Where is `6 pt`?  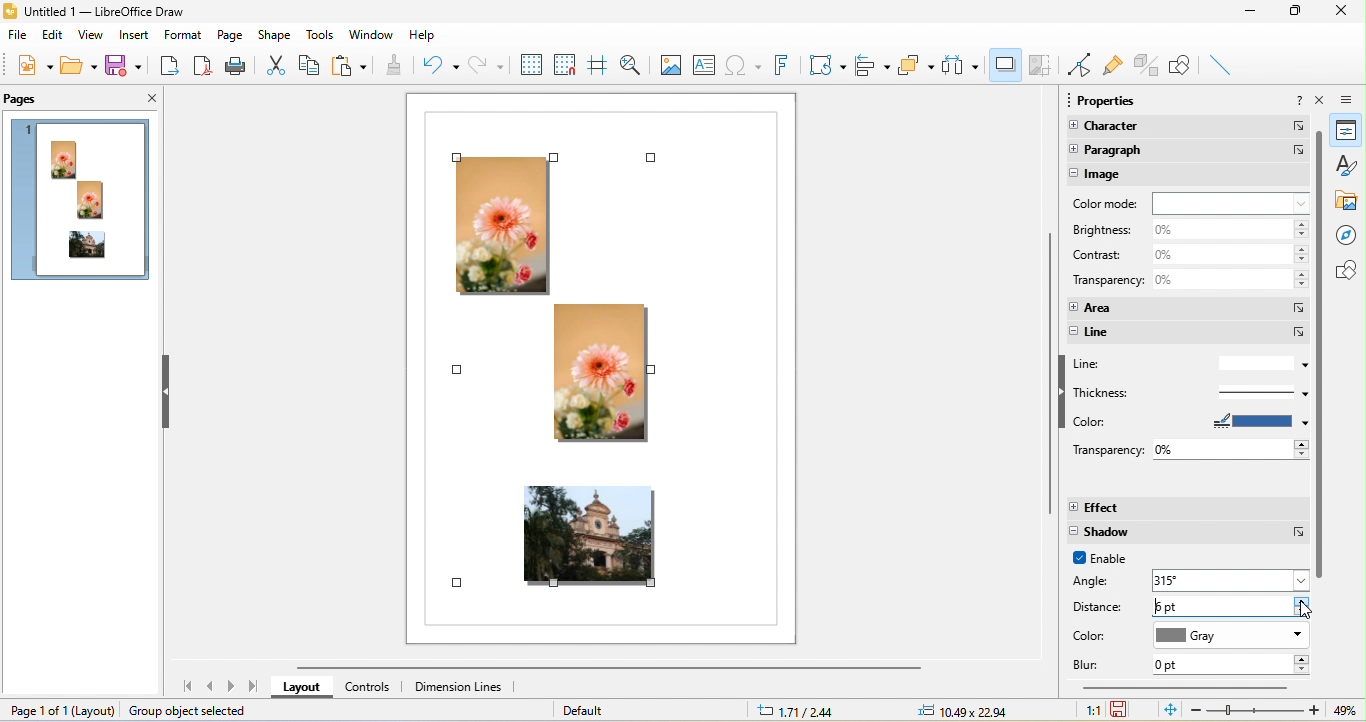 6 pt is located at coordinates (1234, 606).